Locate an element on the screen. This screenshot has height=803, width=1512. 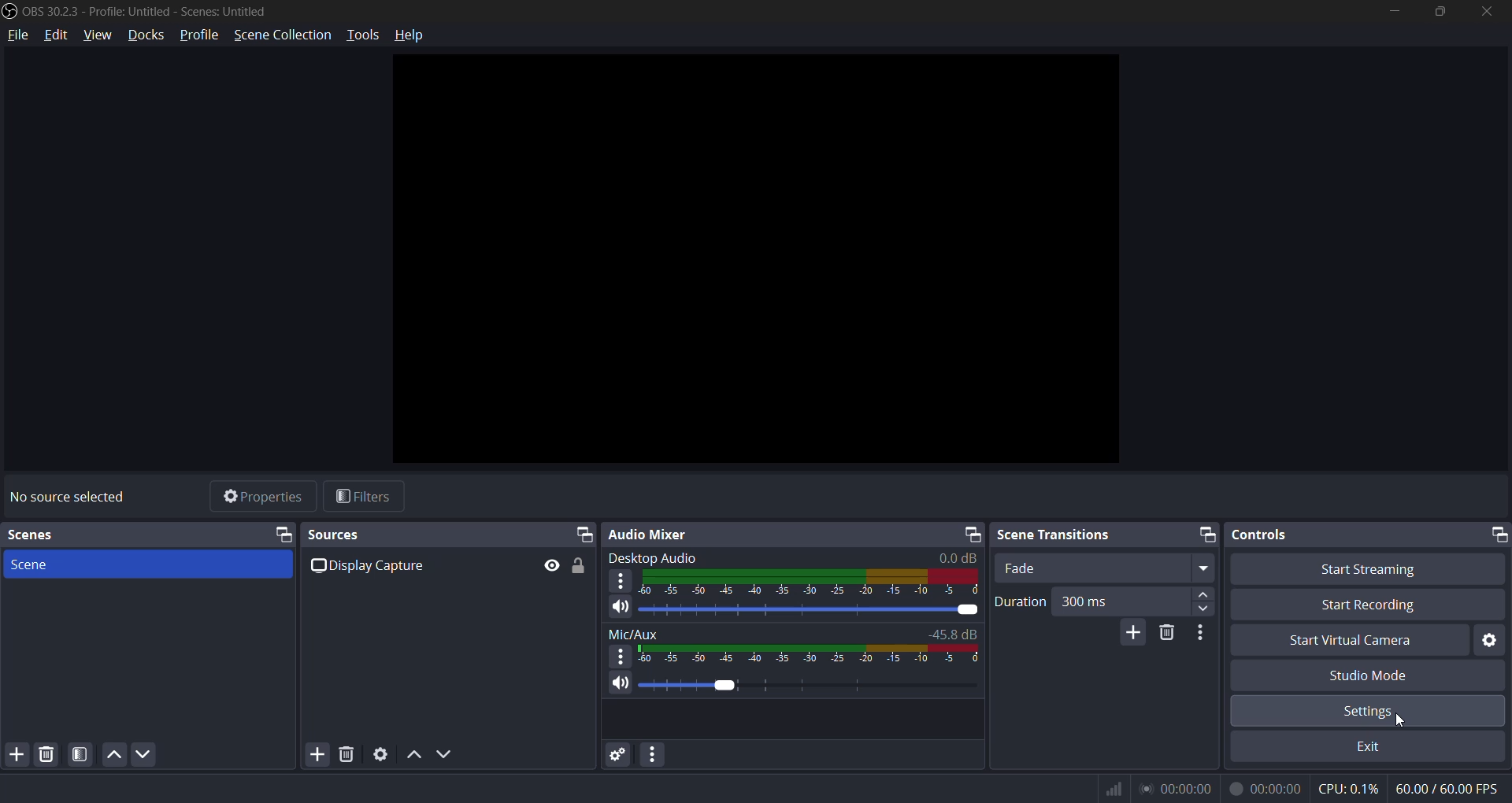
mute is located at coordinates (621, 606).